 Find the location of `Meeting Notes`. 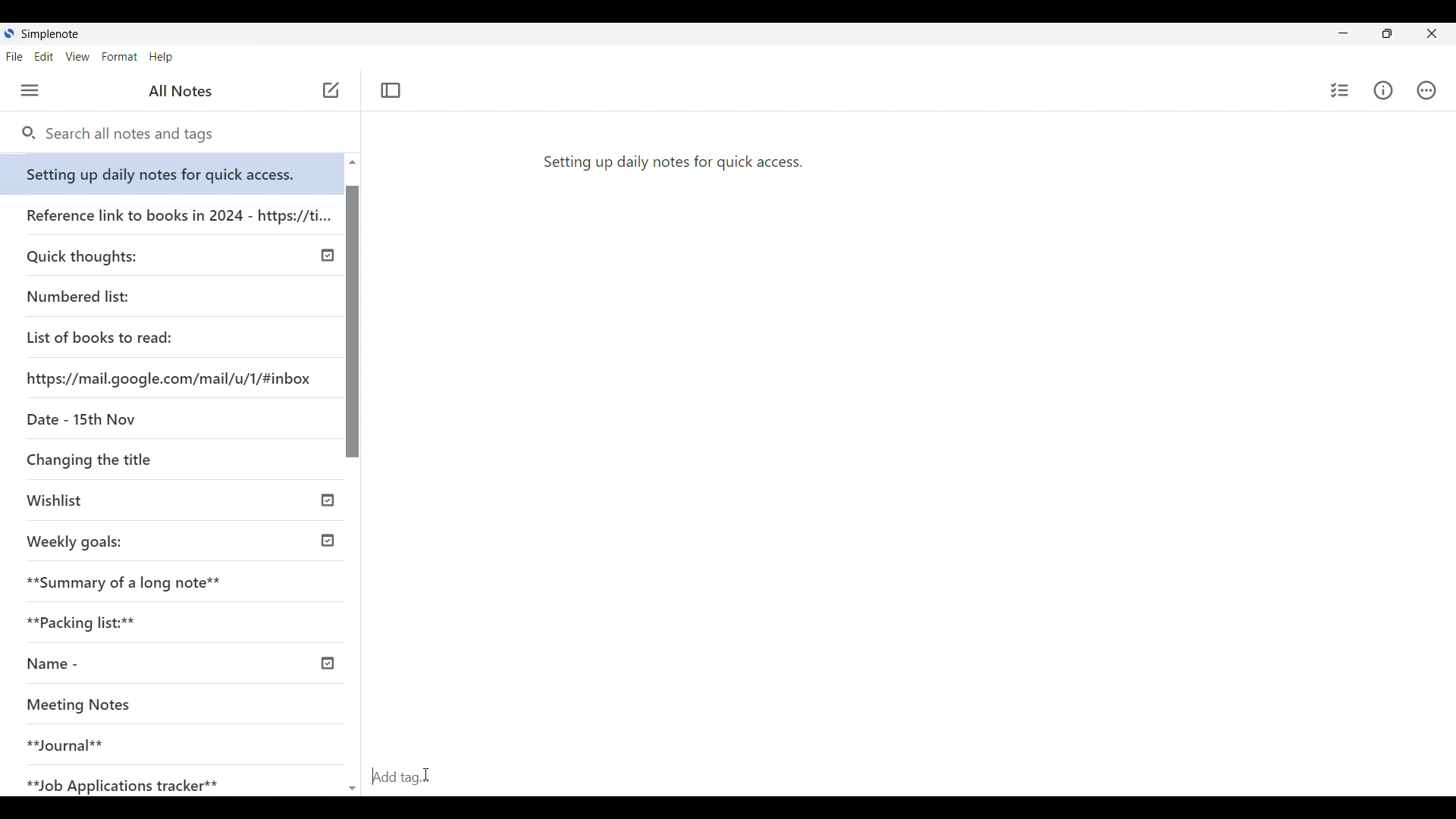

Meeting Notes is located at coordinates (153, 706).